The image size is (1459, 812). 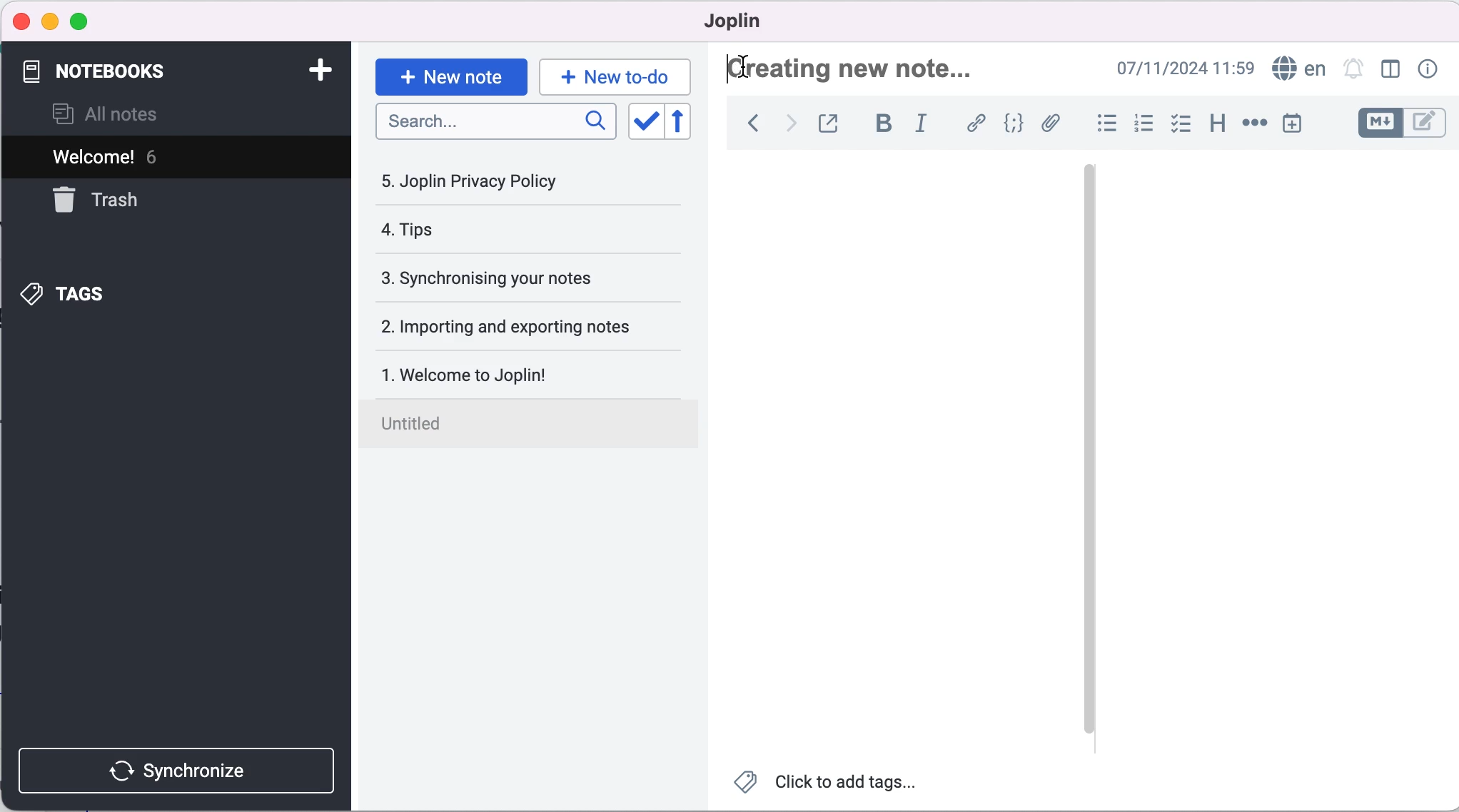 I want to click on horizontal rule, so click(x=1254, y=125).